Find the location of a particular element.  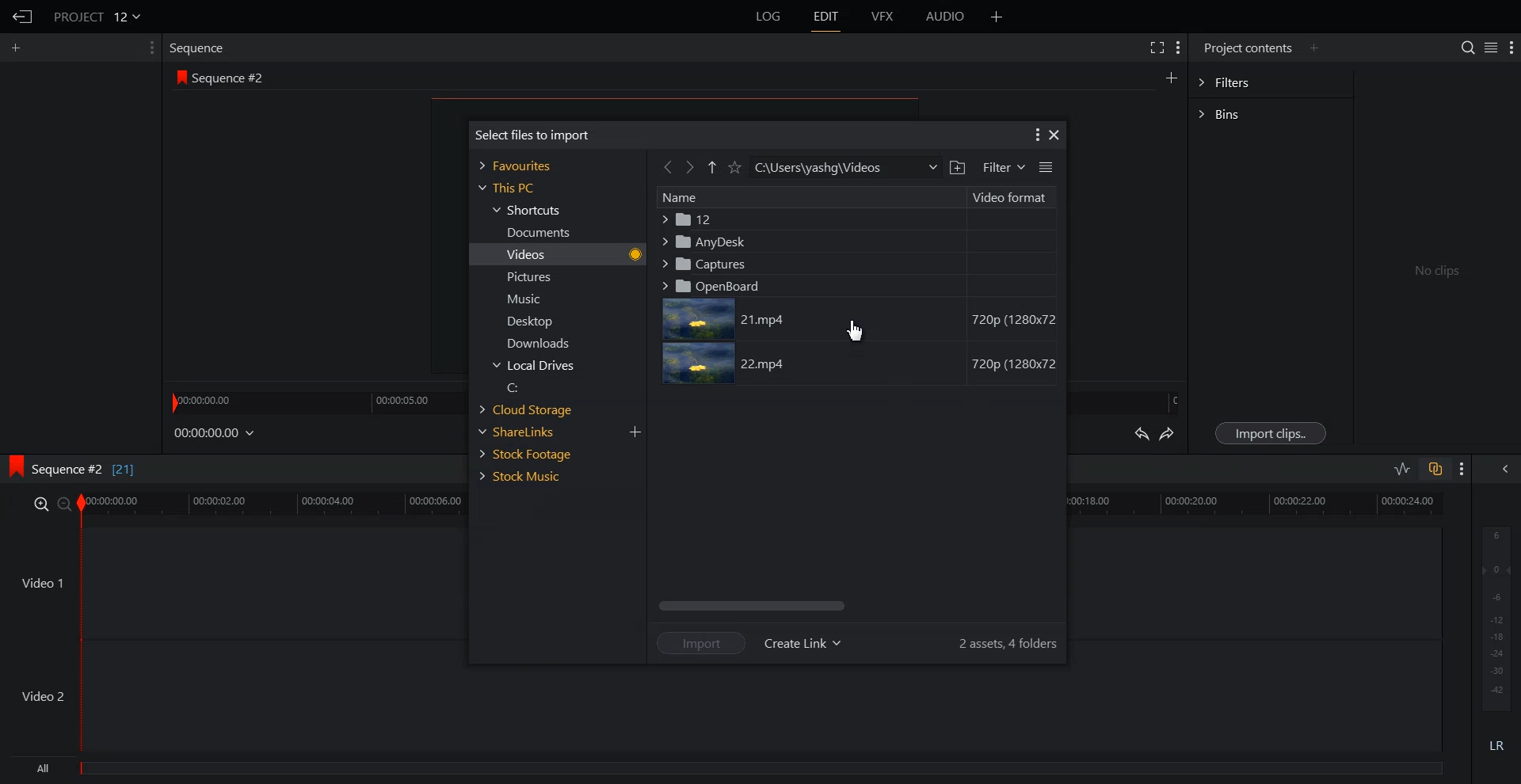

Toggle between list and tile view is located at coordinates (1489, 48).